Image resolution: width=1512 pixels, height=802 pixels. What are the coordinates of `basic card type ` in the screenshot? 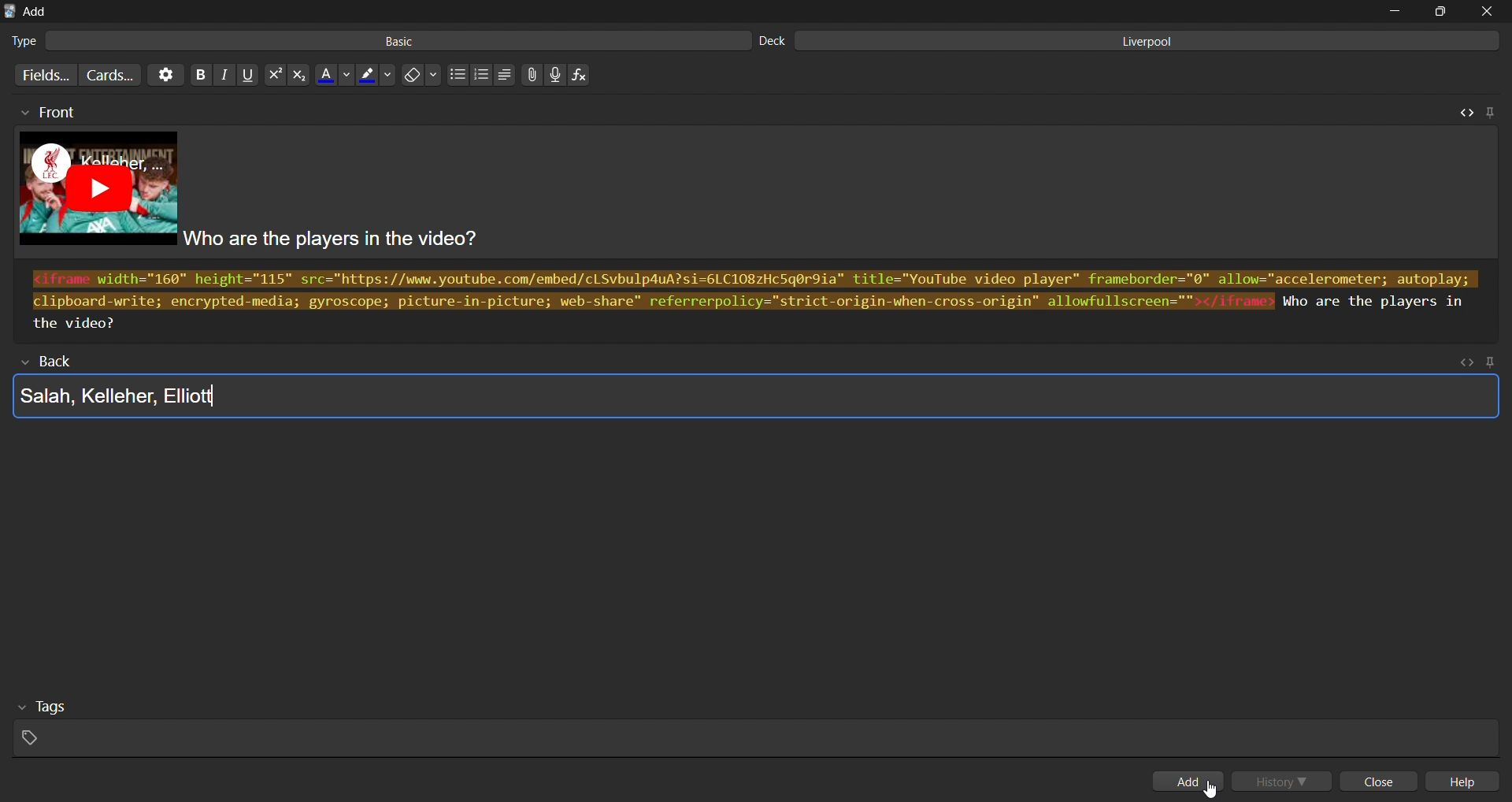 It's located at (376, 41).